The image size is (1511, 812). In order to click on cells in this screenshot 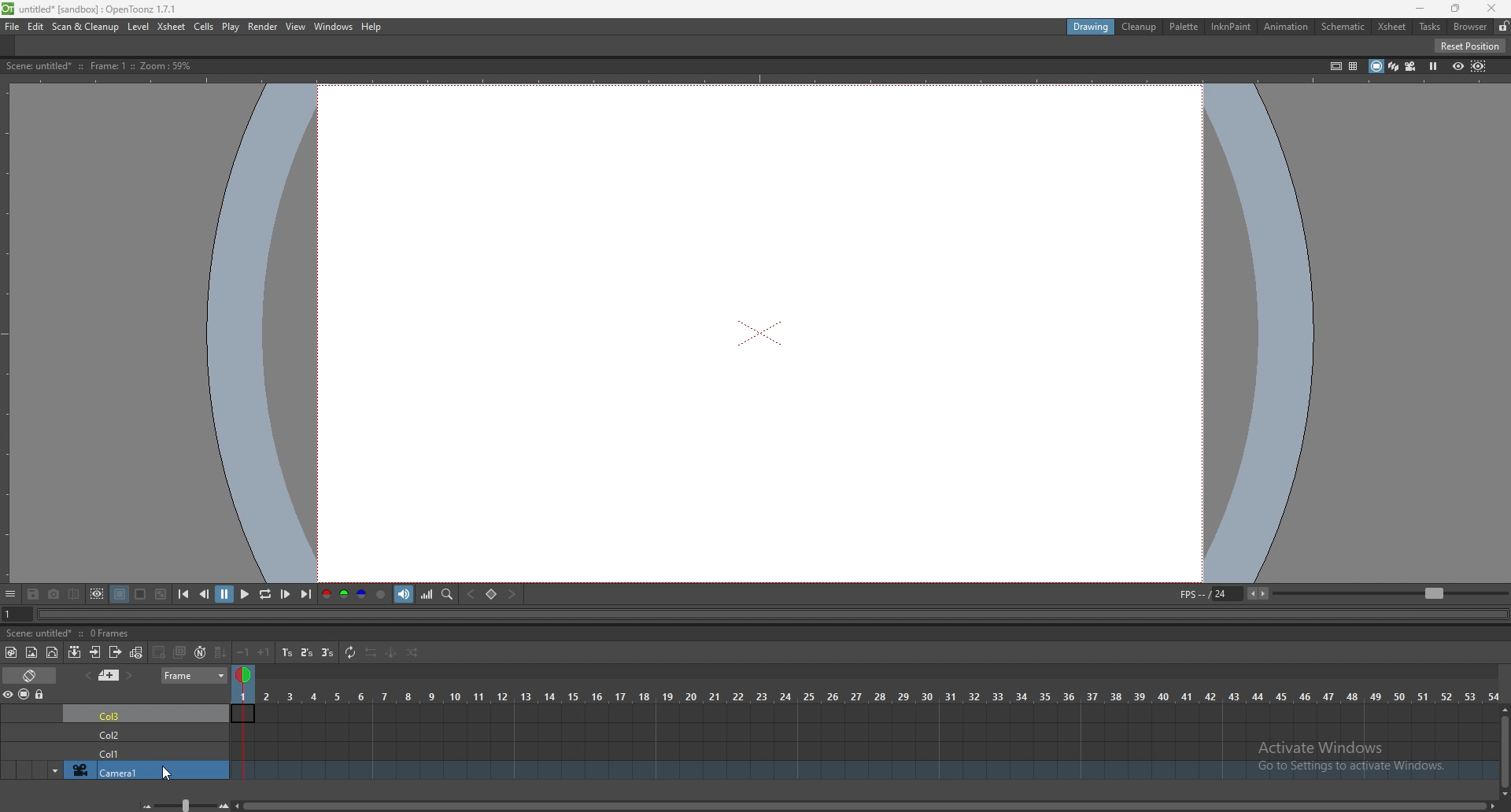, I will do `click(205, 28)`.